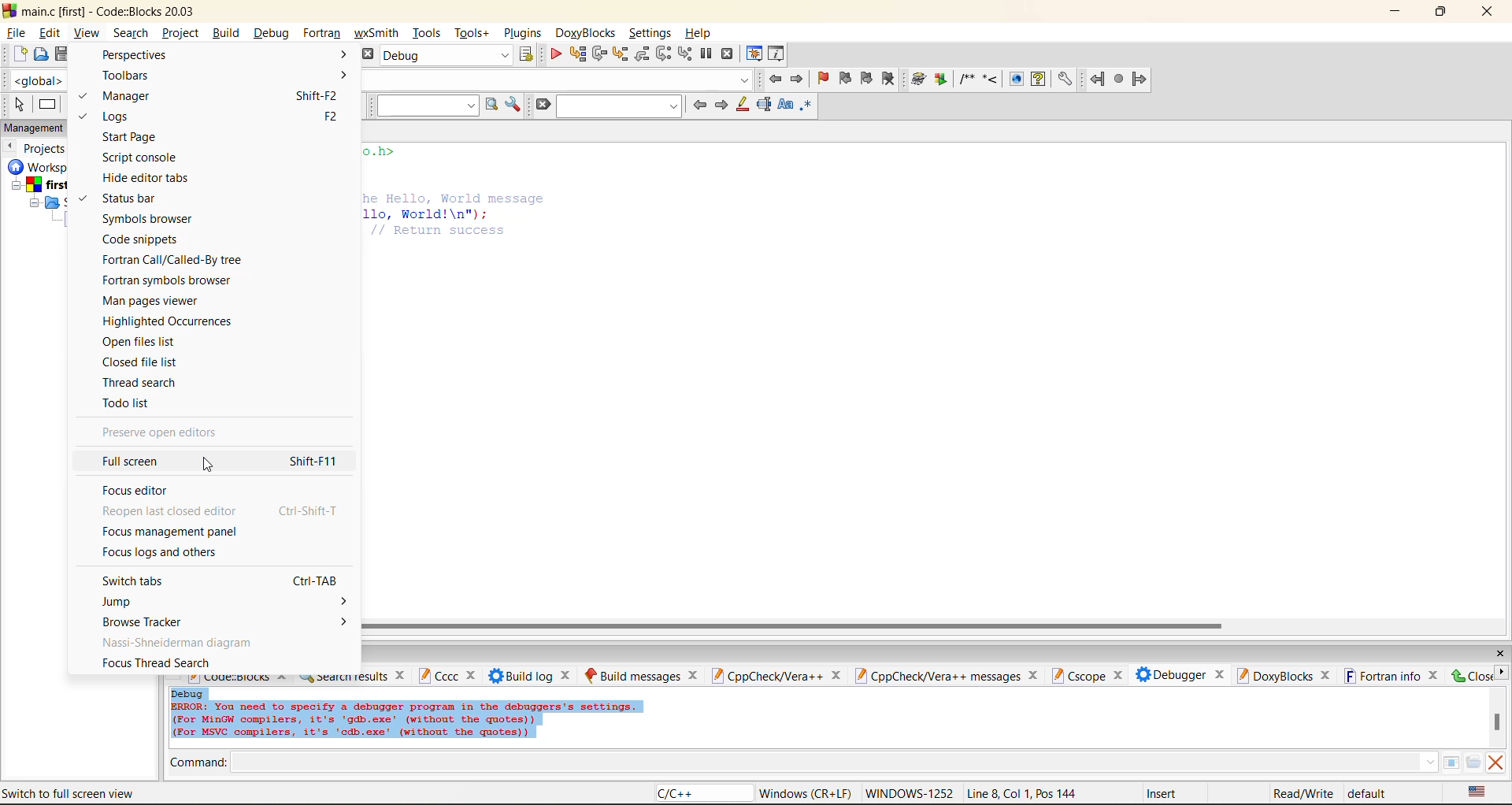 The image size is (1512, 805). What do you see at coordinates (558, 54) in the screenshot?
I see `debug/continue` at bounding box center [558, 54].